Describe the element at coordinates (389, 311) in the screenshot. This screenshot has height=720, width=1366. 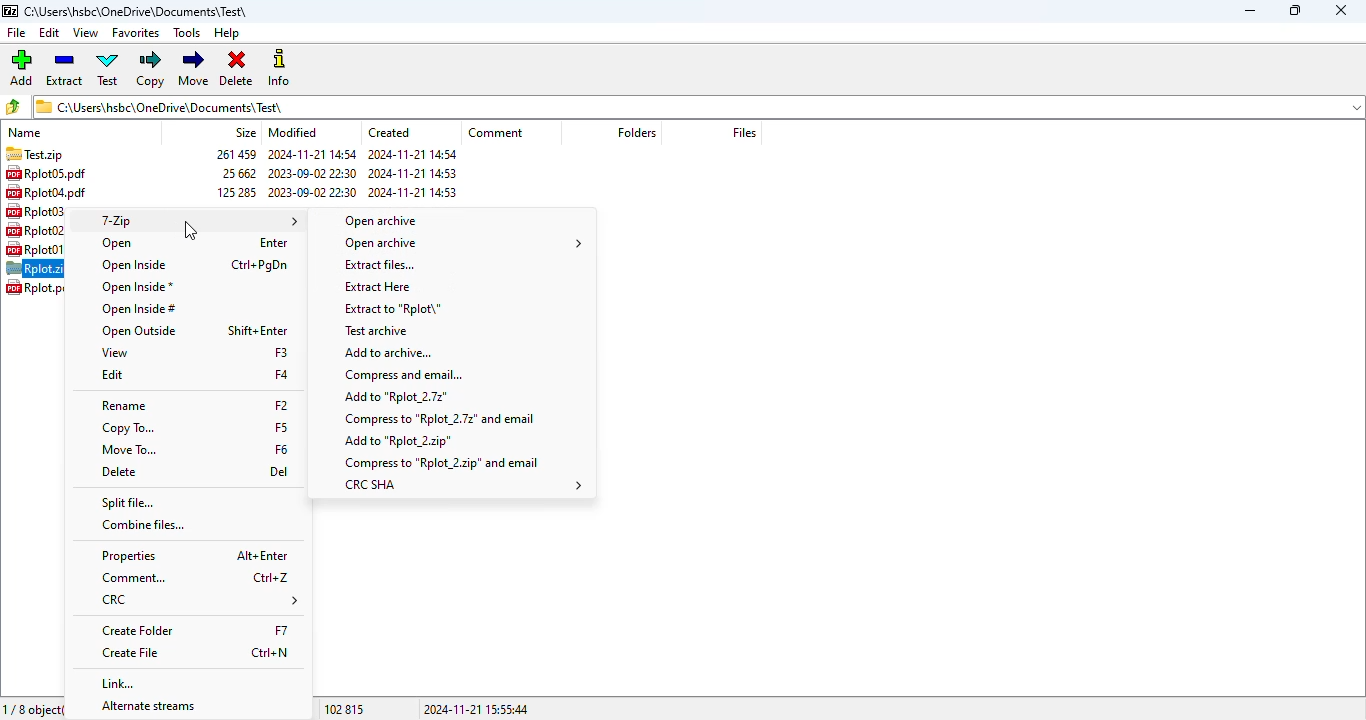
I see `extract to file` at that location.